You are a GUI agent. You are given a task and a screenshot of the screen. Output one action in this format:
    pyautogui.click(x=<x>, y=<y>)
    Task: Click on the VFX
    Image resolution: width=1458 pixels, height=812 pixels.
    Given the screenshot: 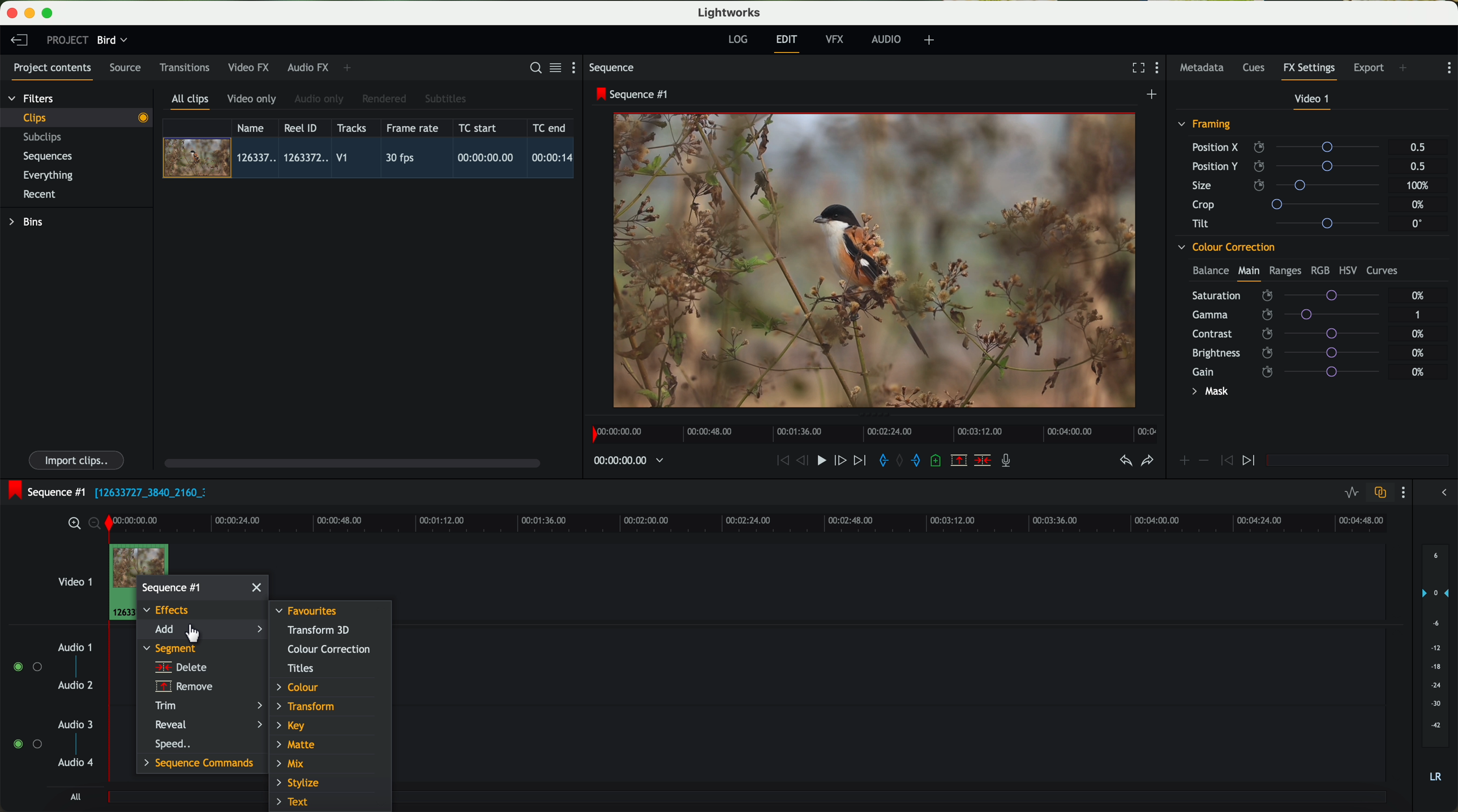 What is the action you would take?
    pyautogui.click(x=837, y=40)
    